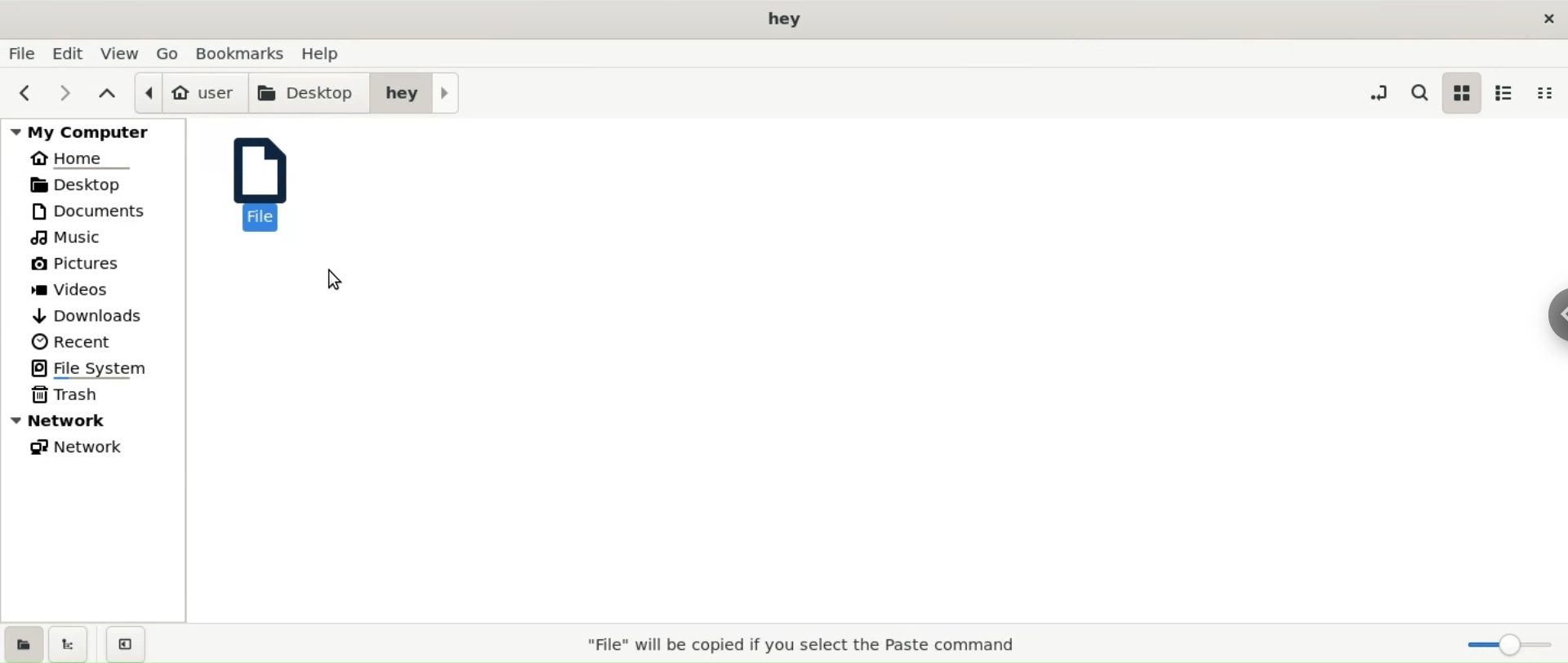 This screenshot has height=663, width=1568. Describe the element at coordinates (93, 187) in the screenshot. I see `desktop` at that location.